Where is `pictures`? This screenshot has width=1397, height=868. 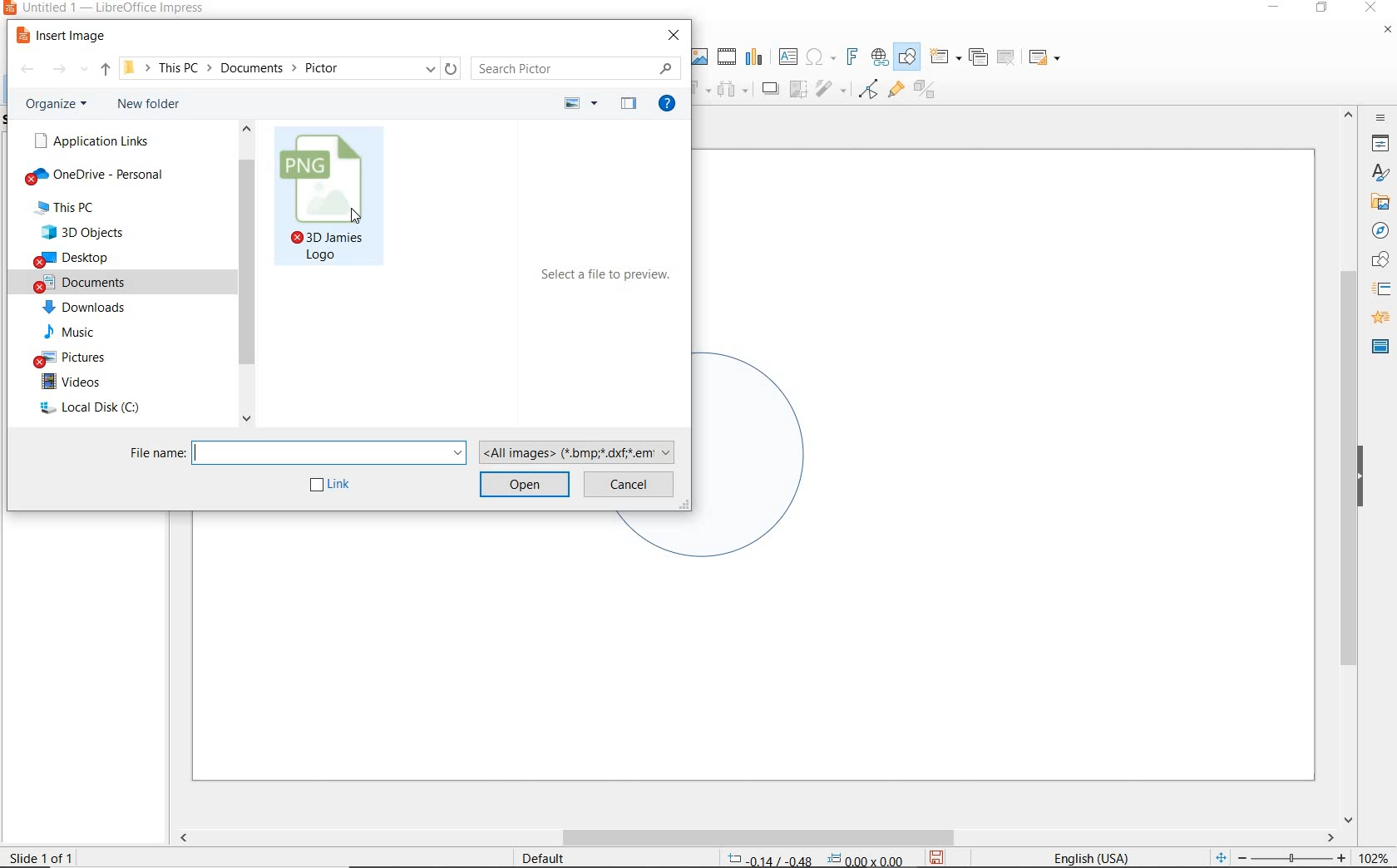
pictures is located at coordinates (77, 356).